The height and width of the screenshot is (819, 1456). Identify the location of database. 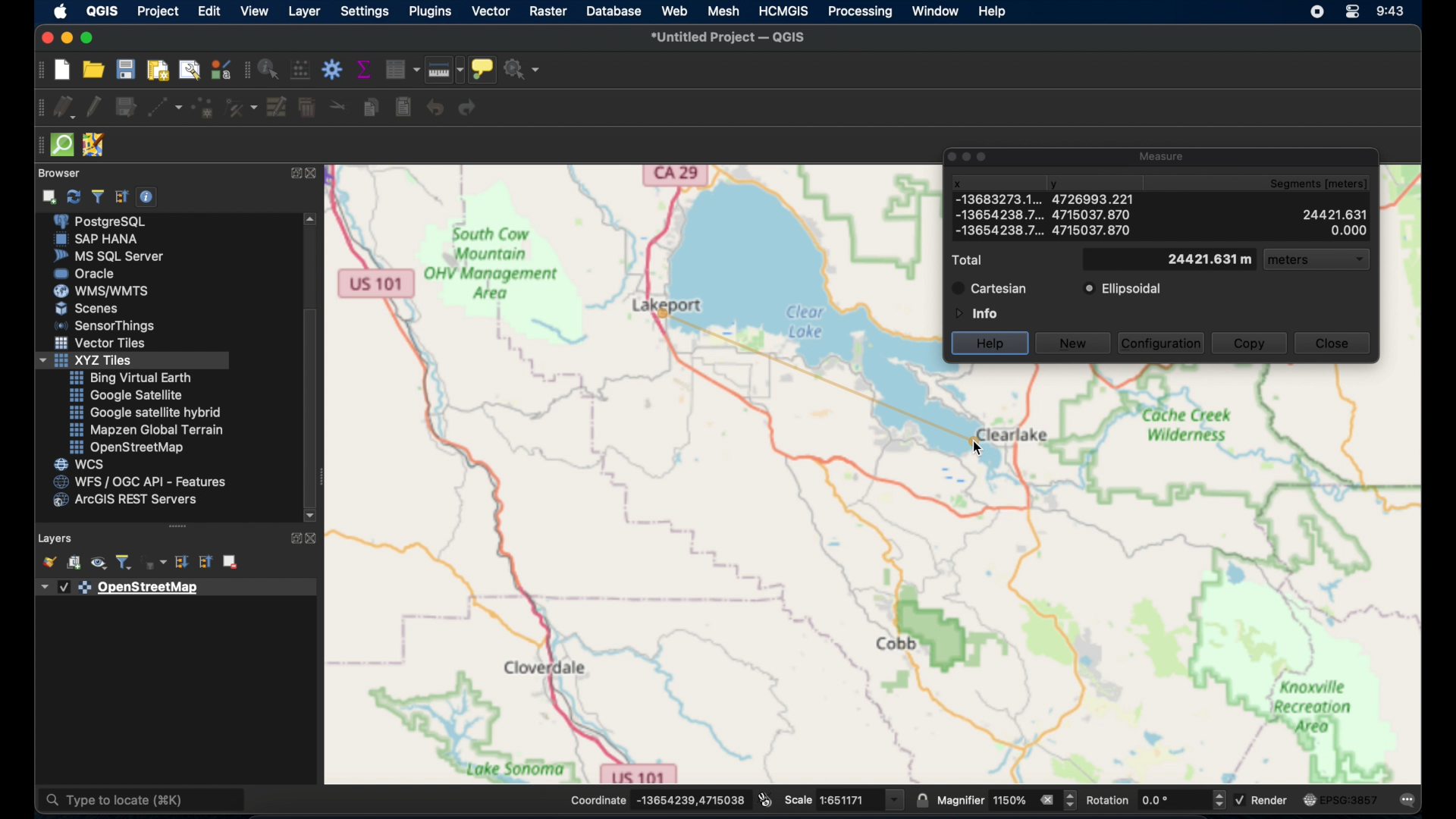
(616, 11).